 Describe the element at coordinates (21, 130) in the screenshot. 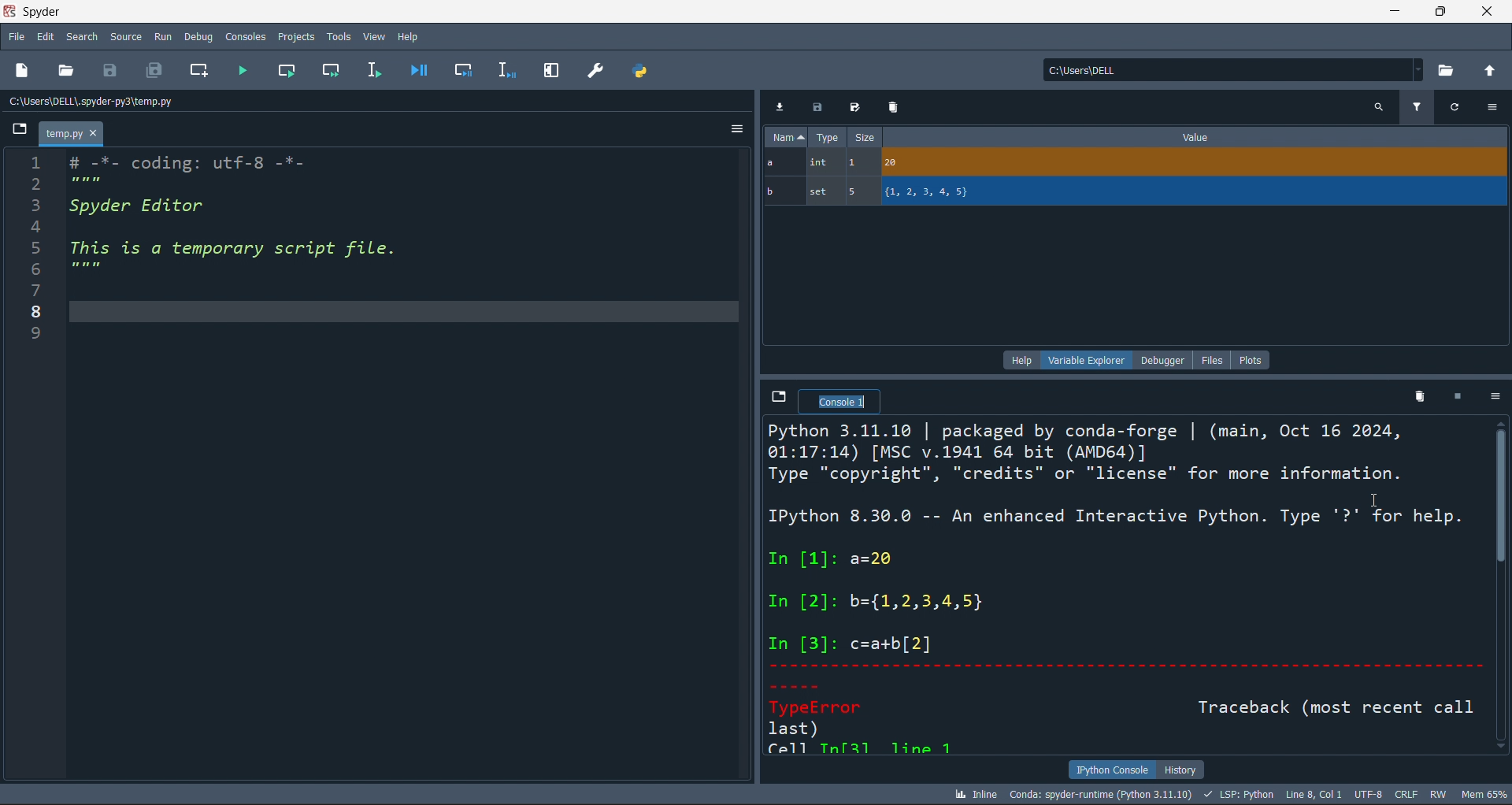

I see `browse tabs` at that location.